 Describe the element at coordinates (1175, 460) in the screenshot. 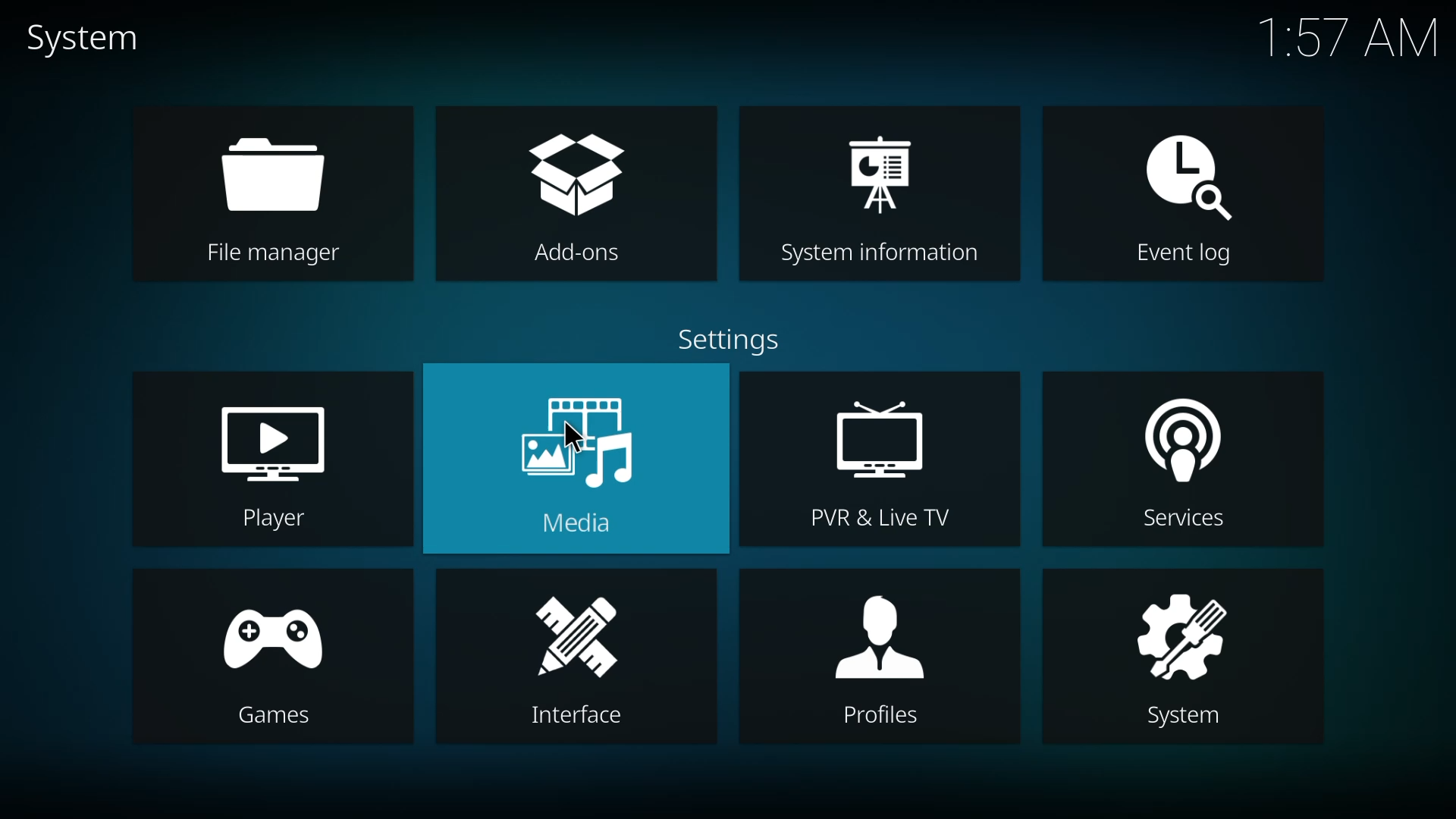

I see `services` at that location.